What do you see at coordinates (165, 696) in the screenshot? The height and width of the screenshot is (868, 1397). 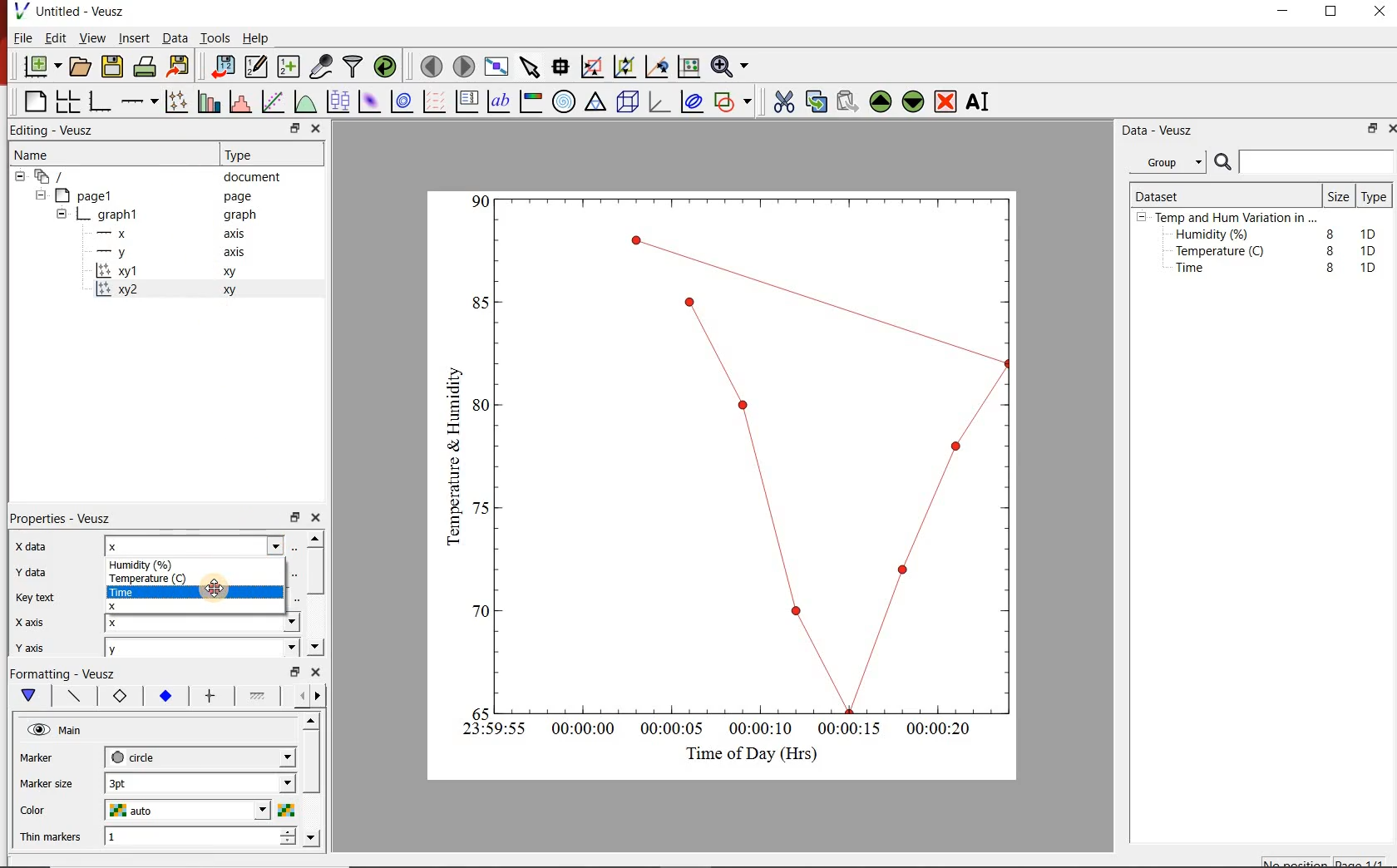 I see `marker fill` at bounding box center [165, 696].